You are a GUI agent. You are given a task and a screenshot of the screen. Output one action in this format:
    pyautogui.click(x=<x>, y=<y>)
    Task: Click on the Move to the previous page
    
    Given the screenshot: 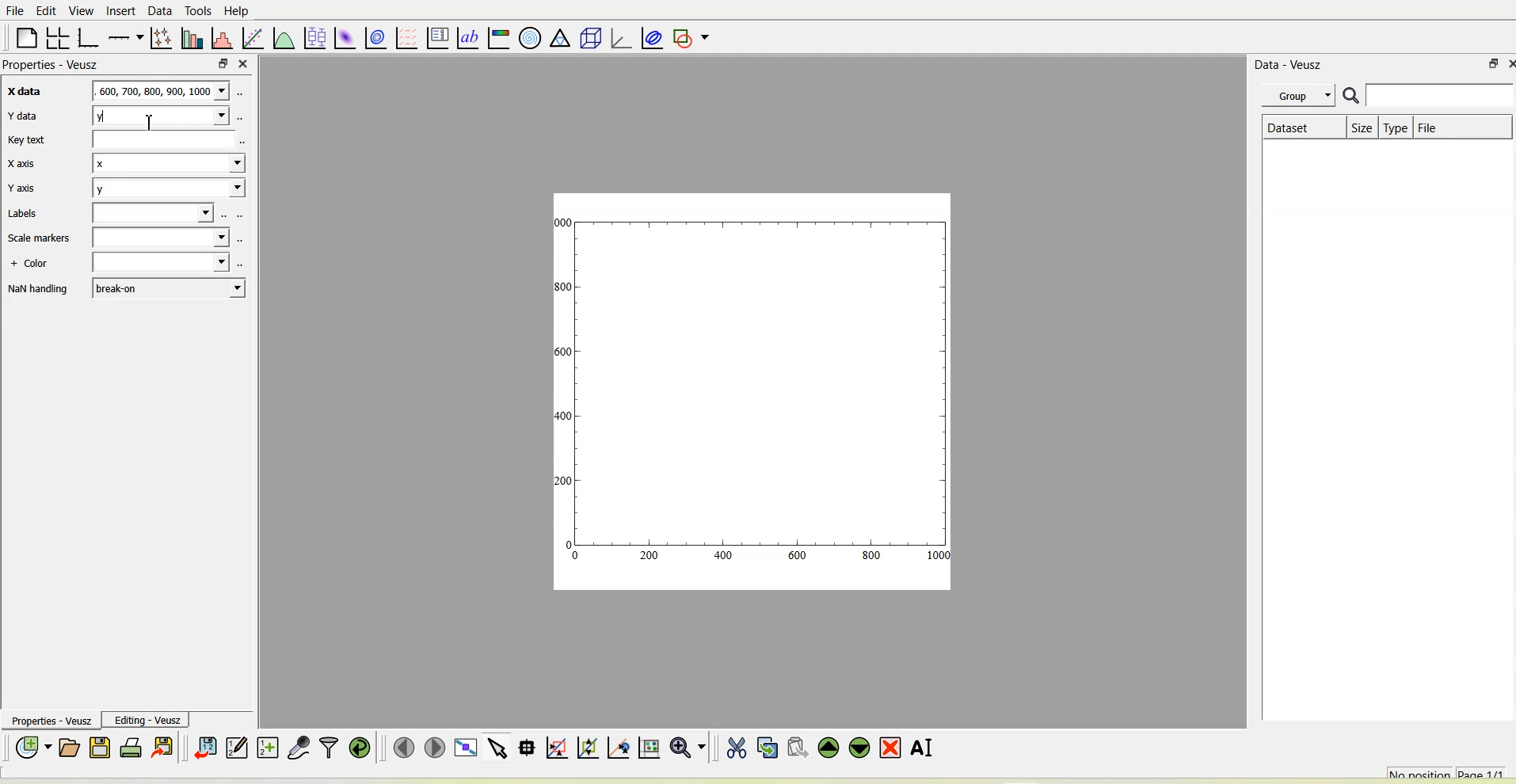 What is the action you would take?
    pyautogui.click(x=403, y=747)
    